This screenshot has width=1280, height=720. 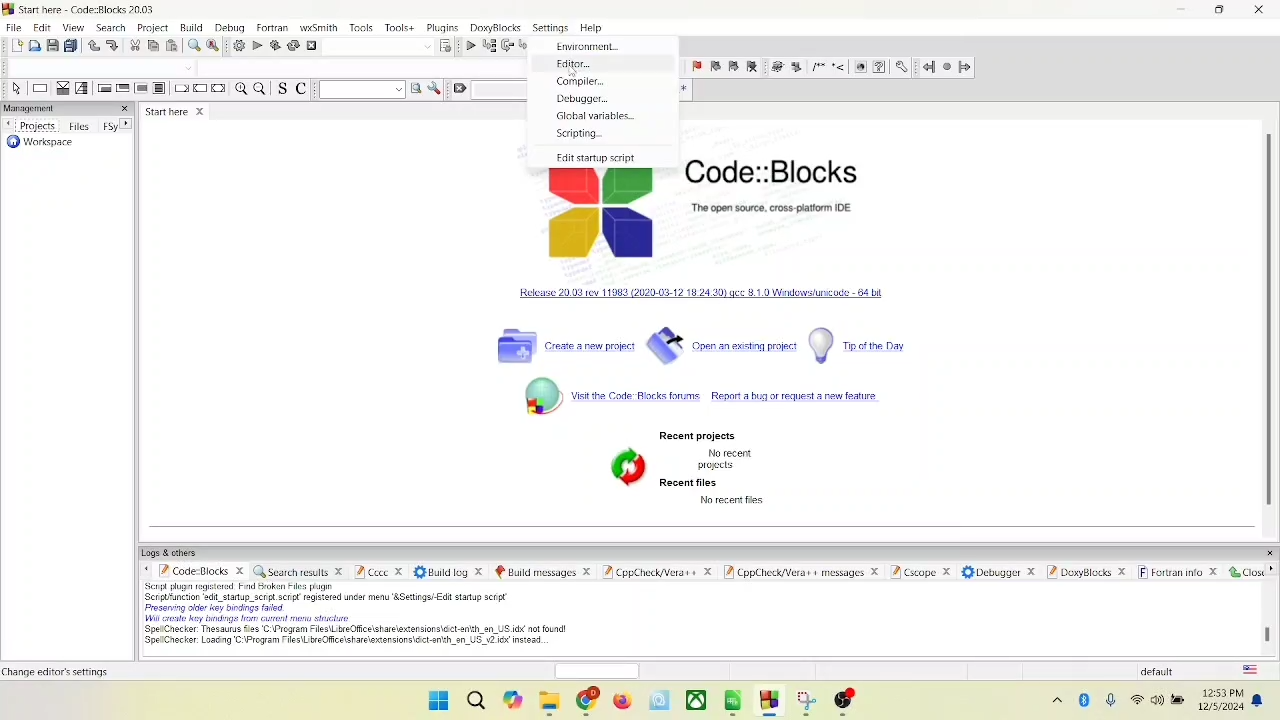 What do you see at coordinates (94, 46) in the screenshot?
I see `undo` at bounding box center [94, 46].